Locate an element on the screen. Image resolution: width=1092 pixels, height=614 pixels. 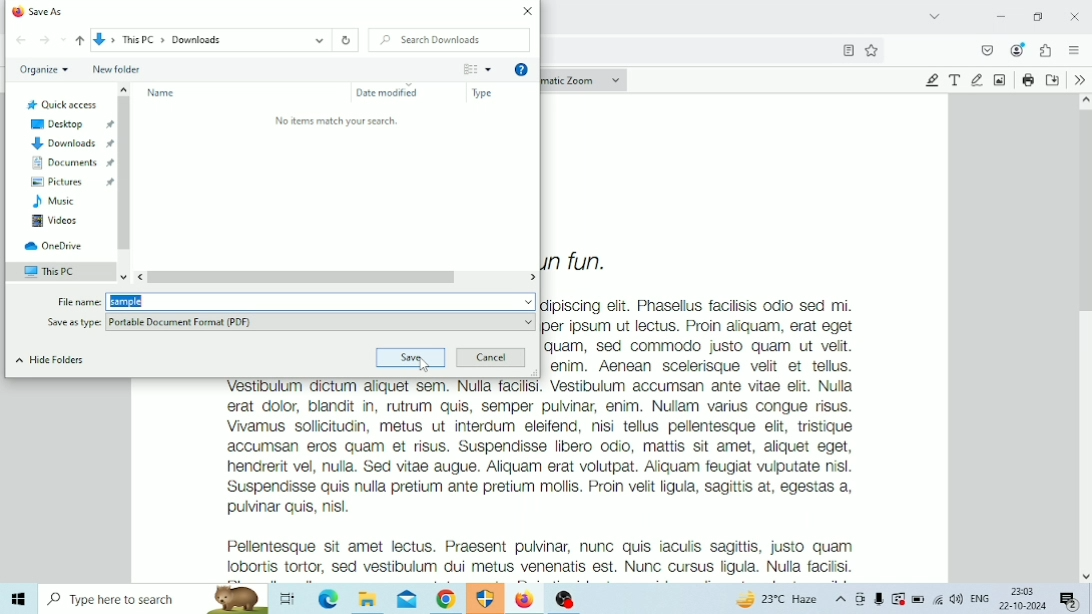
File Explorer is located at coordinates (368, 598).